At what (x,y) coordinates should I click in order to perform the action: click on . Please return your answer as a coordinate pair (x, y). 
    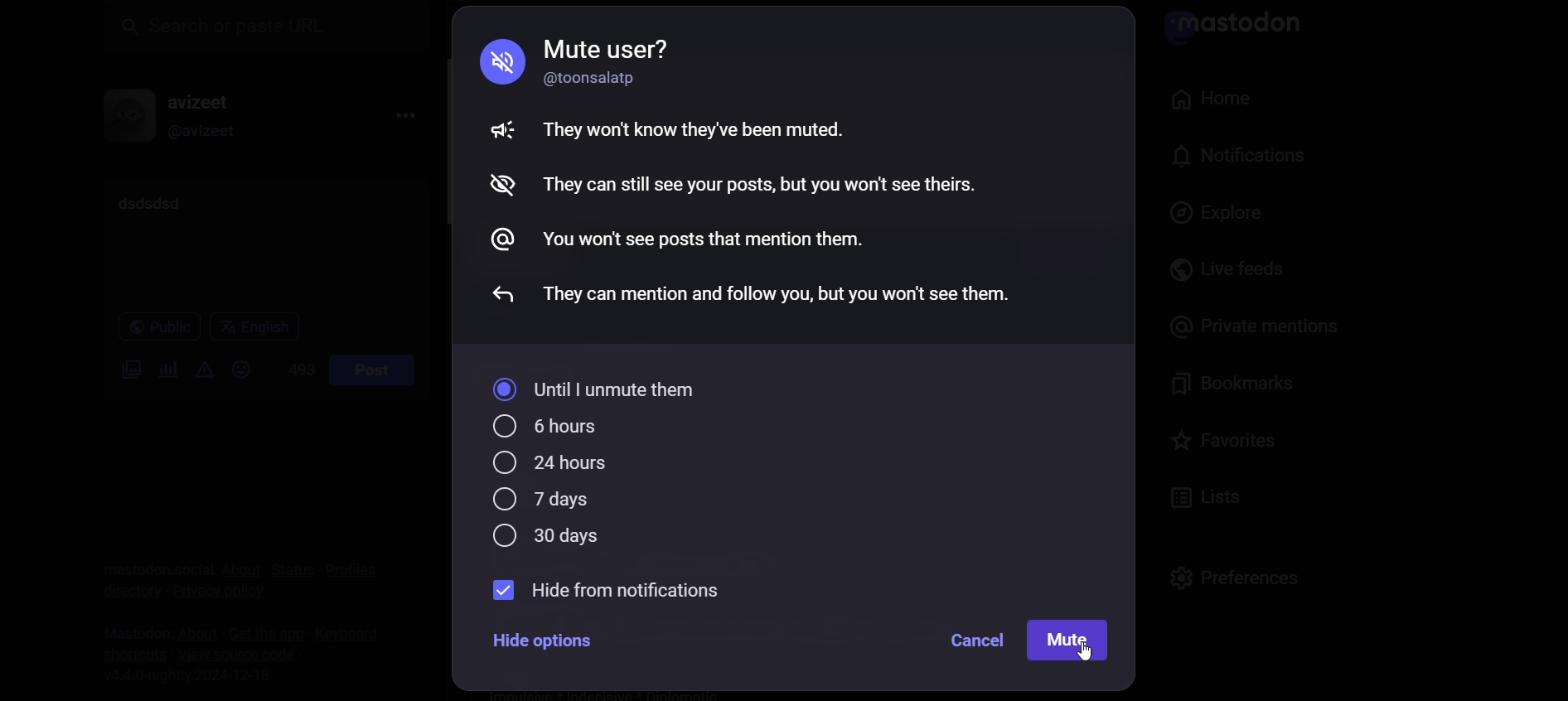
    Looking at the image, I should click on (498, 293).